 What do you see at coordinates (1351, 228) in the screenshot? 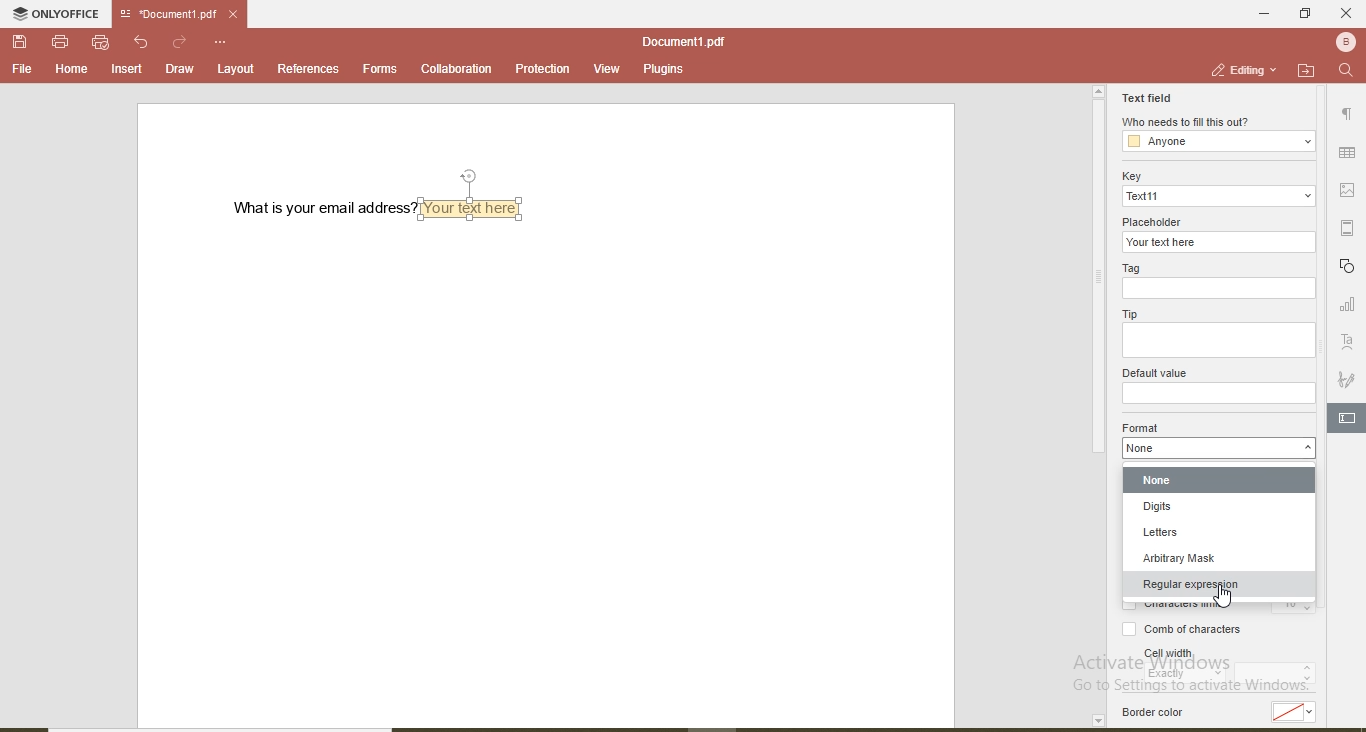
I see `margin` at bounding box center [1351, 228].